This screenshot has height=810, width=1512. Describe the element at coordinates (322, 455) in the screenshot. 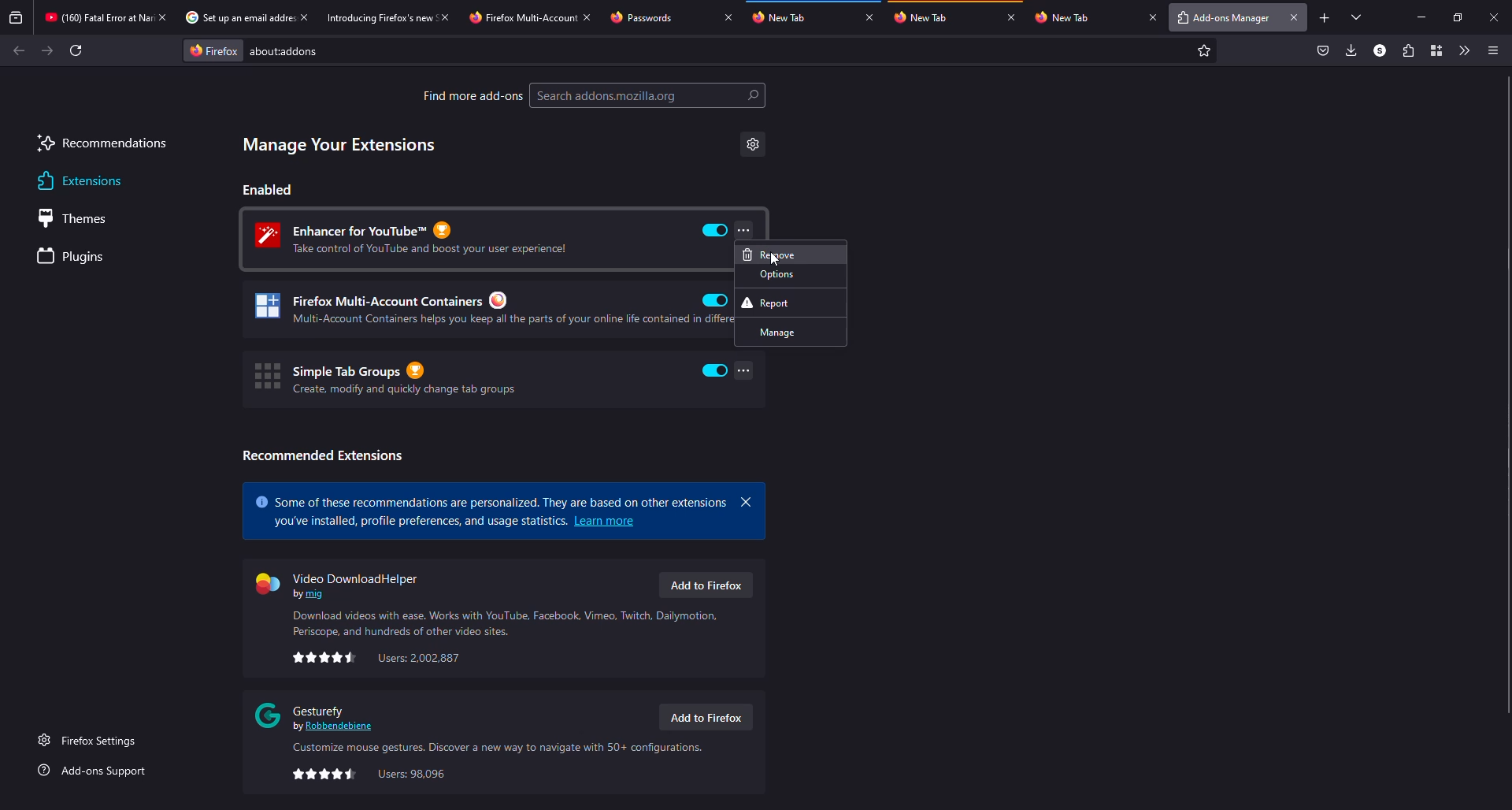

I see `recommended` at that location.